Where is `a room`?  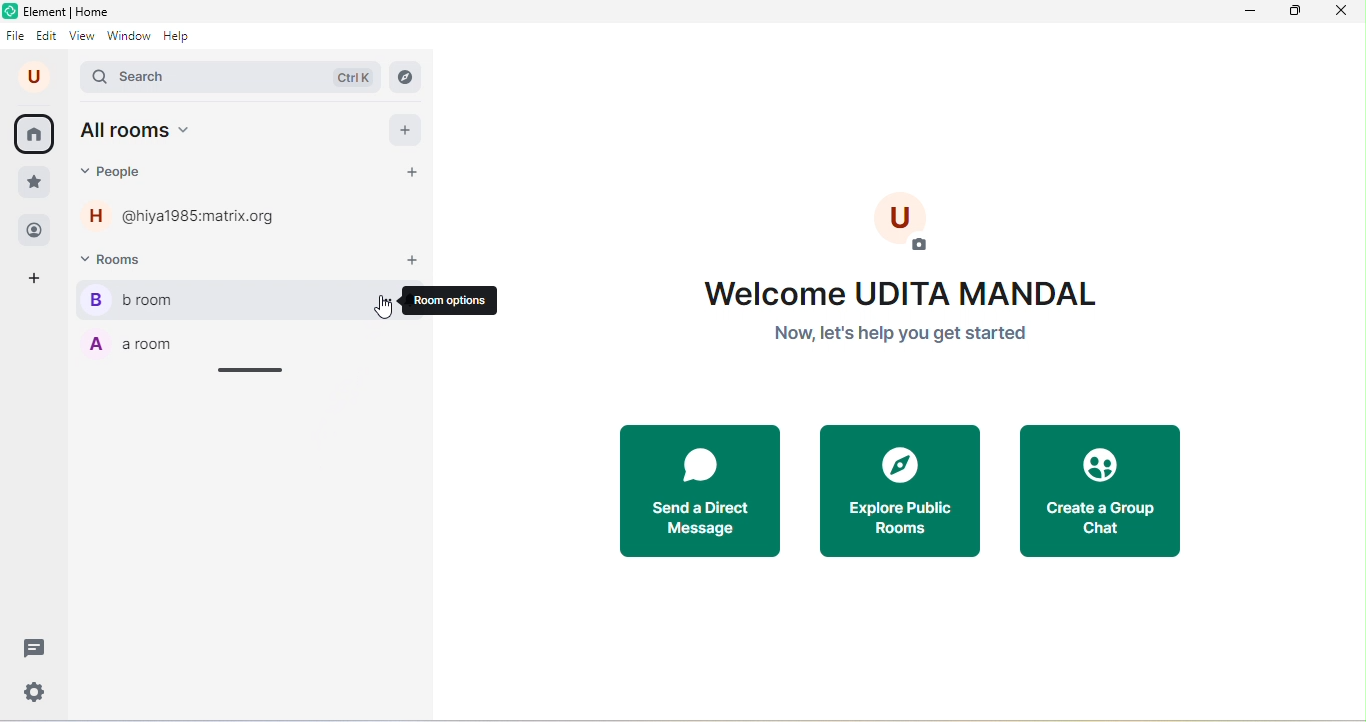
a room is located at coordinates (131, 341).